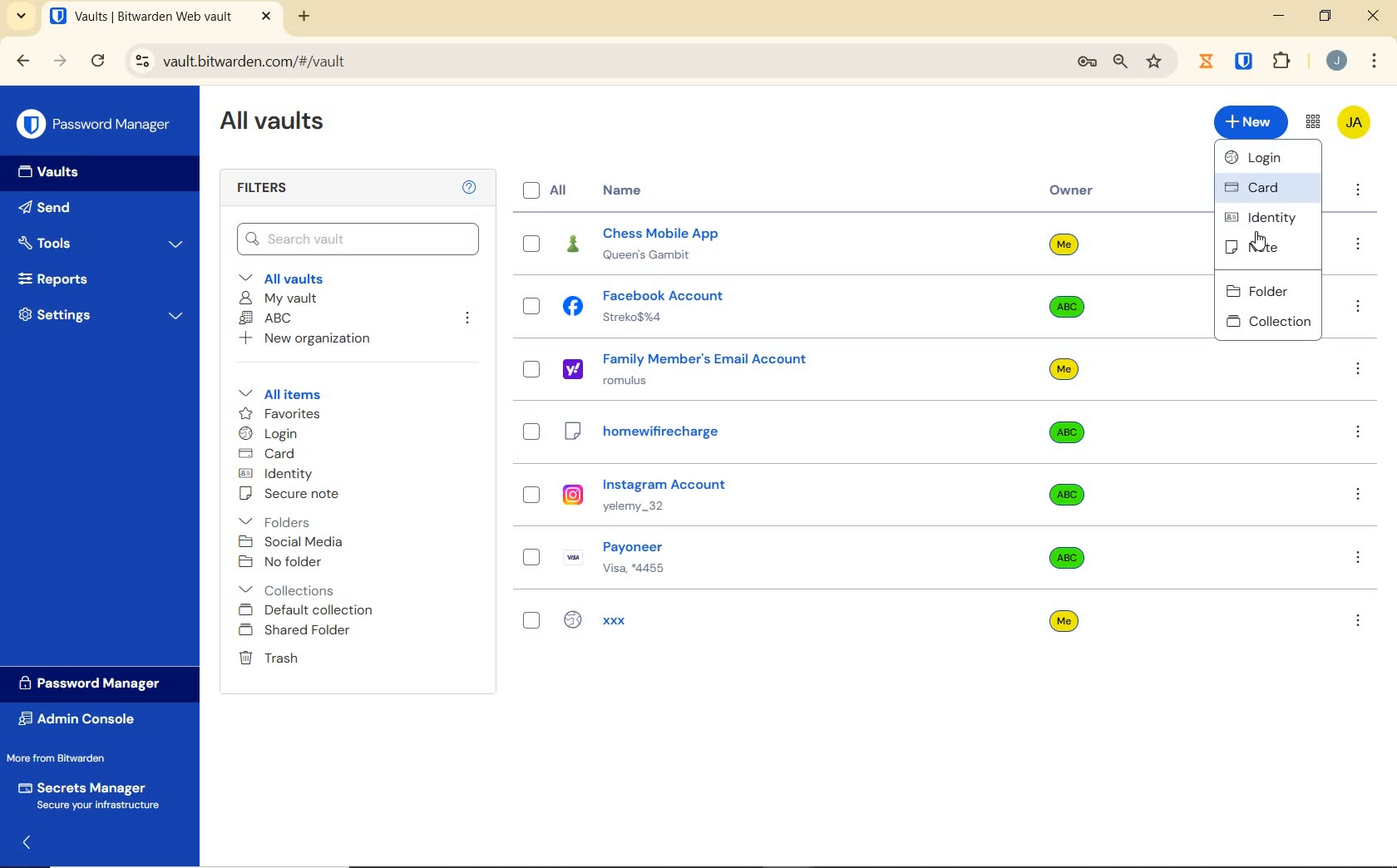 This screenshot has height=868, width=1397. What do you see at coordinates (1245, 62) in the screenshot?
I see `BITWARDEN` at bounding box center [1245, 62].